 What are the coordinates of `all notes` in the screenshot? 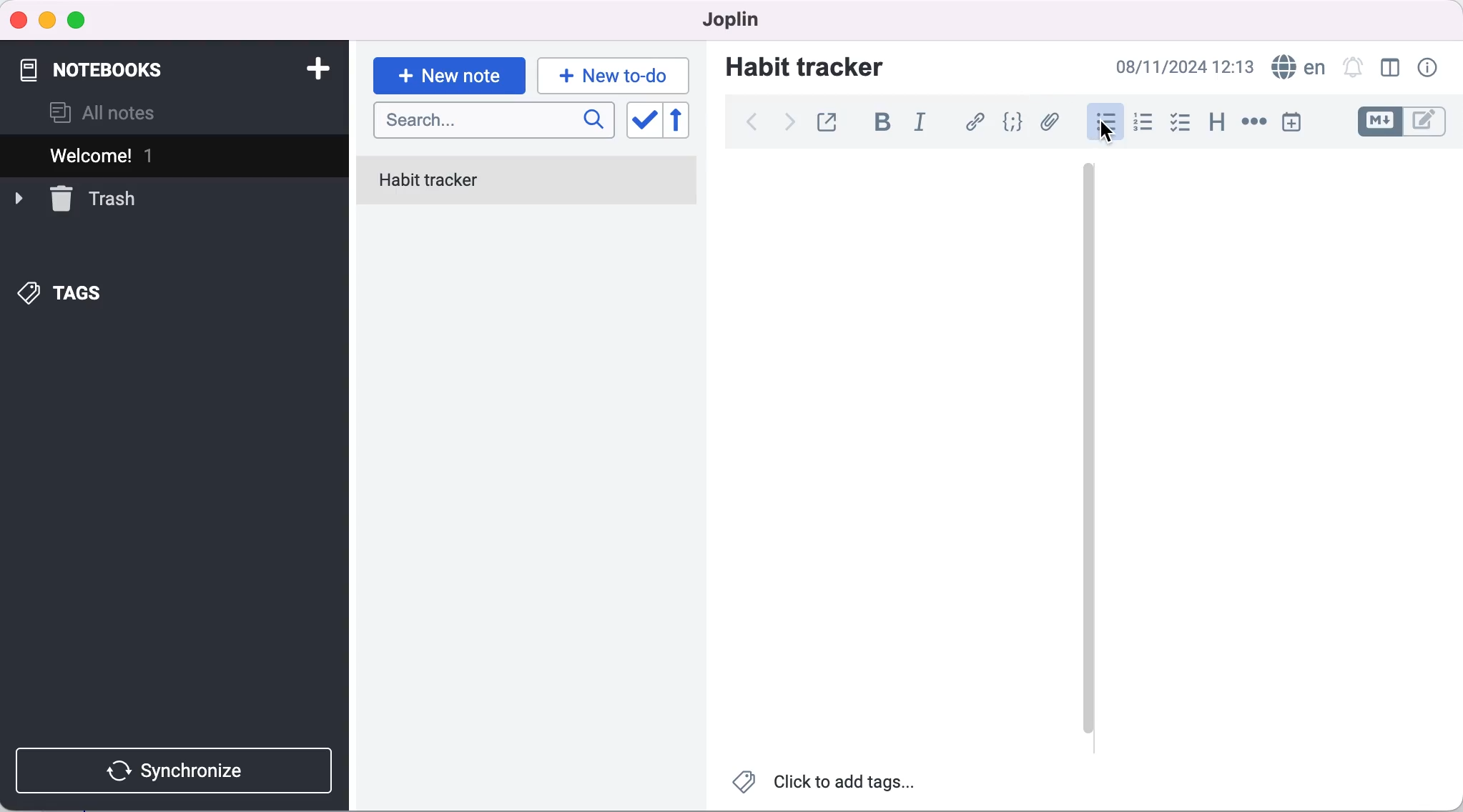 It's located at (103, 113).